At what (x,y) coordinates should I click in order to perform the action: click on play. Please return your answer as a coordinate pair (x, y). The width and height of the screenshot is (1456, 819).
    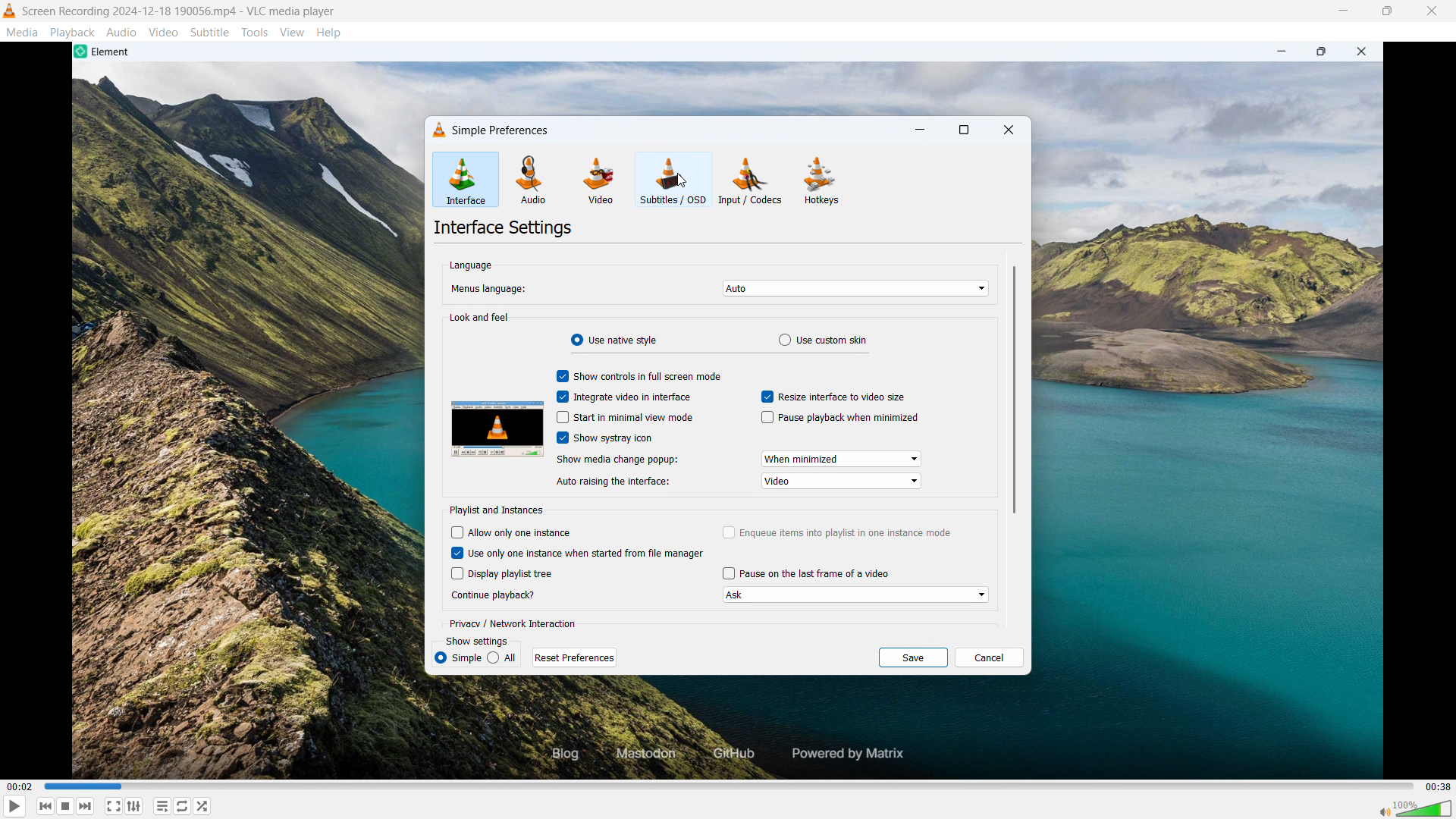
    Looking at the image, I should click on (15, 806).